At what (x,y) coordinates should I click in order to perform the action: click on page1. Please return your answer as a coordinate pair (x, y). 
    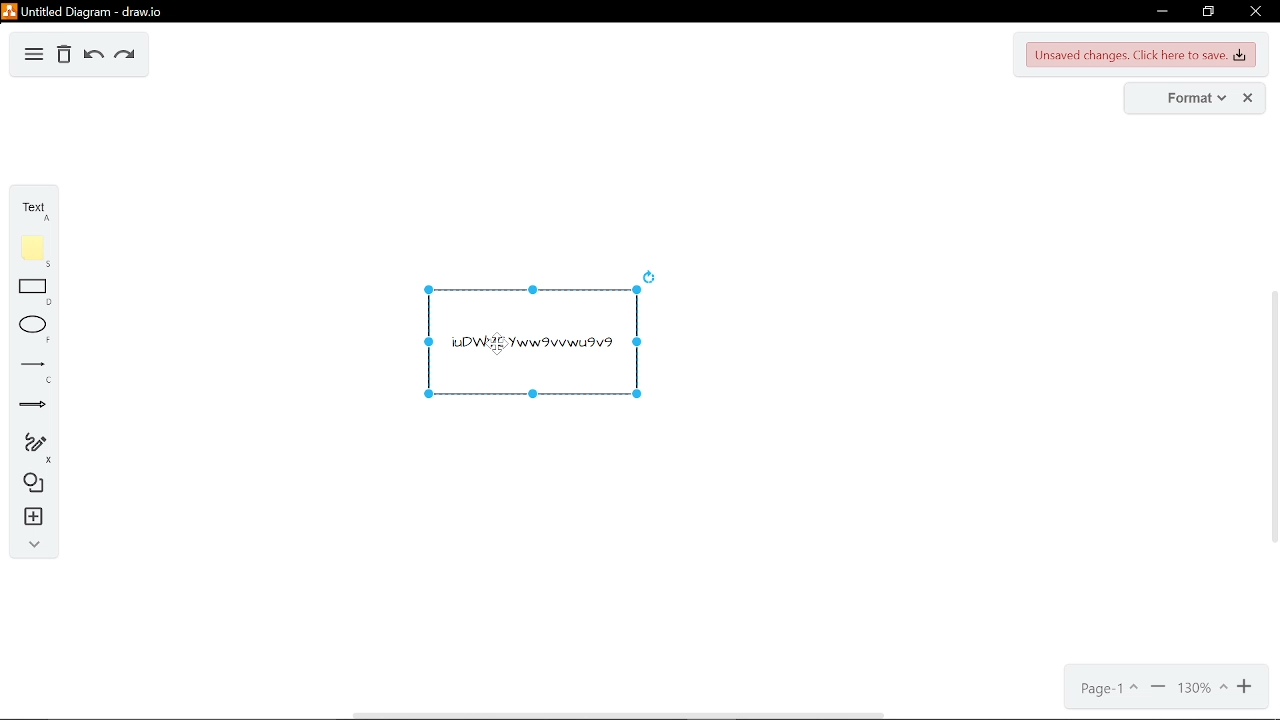
    Looking at the image, I should click on (1107, 689).